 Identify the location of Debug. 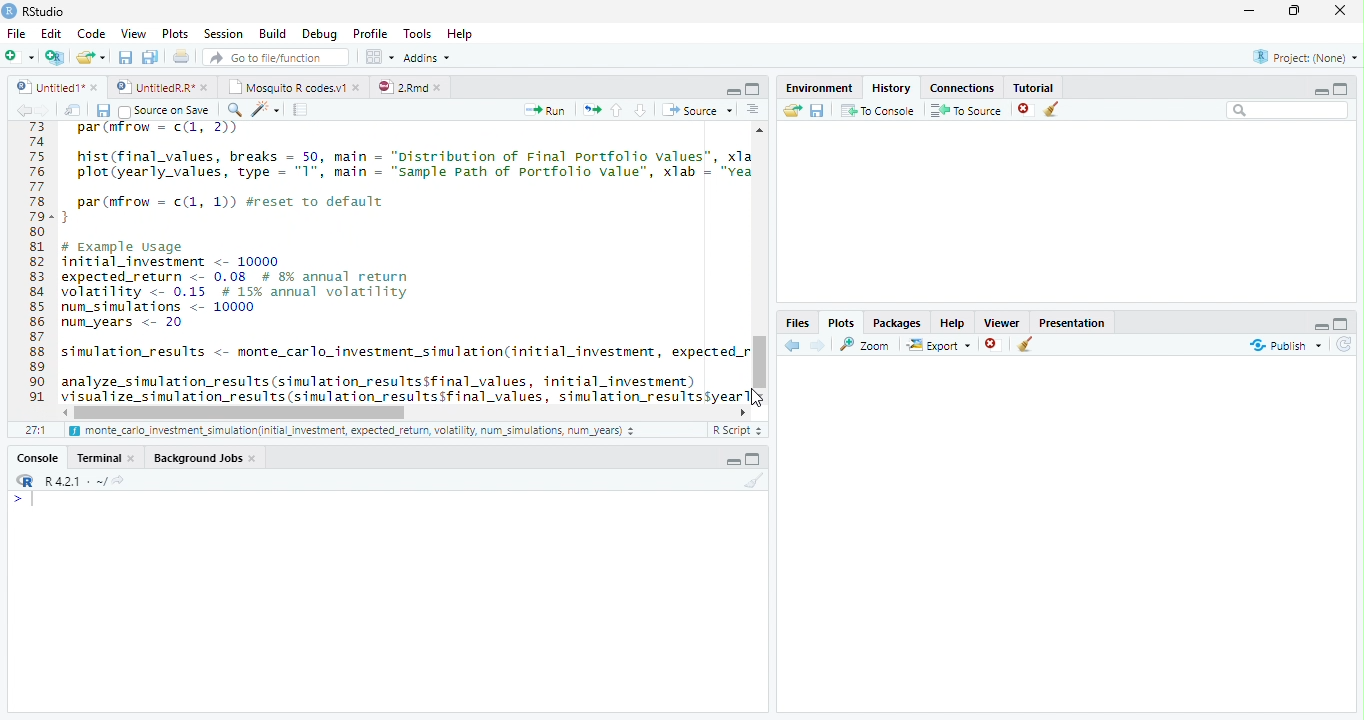
(318, 34).